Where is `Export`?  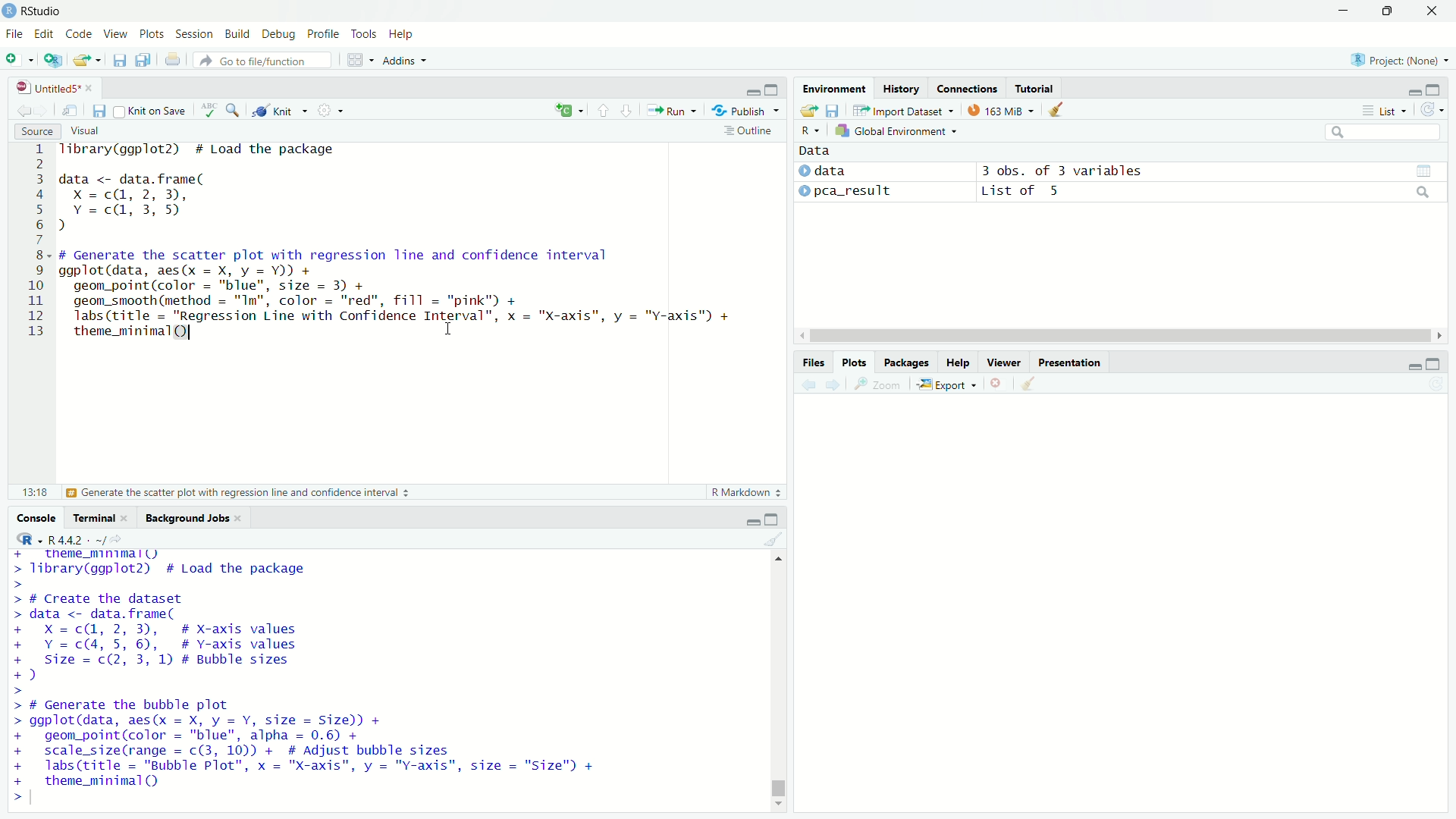
Export is located at coordinates (948, 384).